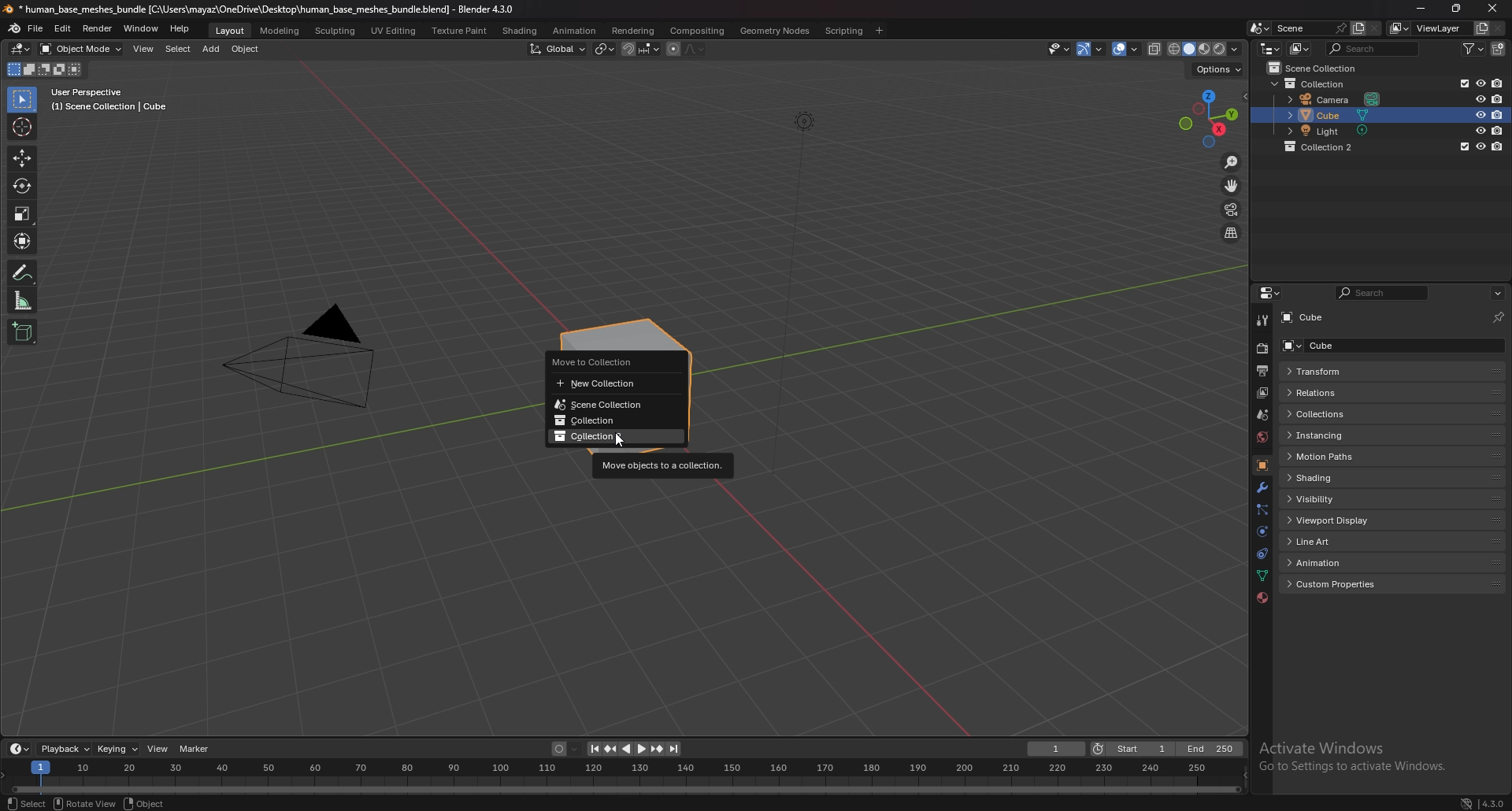 The height and width of the screenshot is (811, 1512). What do you see at coordinates (22, 48) in the screenshot?
I see `editor type` at bounding box center [22, 48].